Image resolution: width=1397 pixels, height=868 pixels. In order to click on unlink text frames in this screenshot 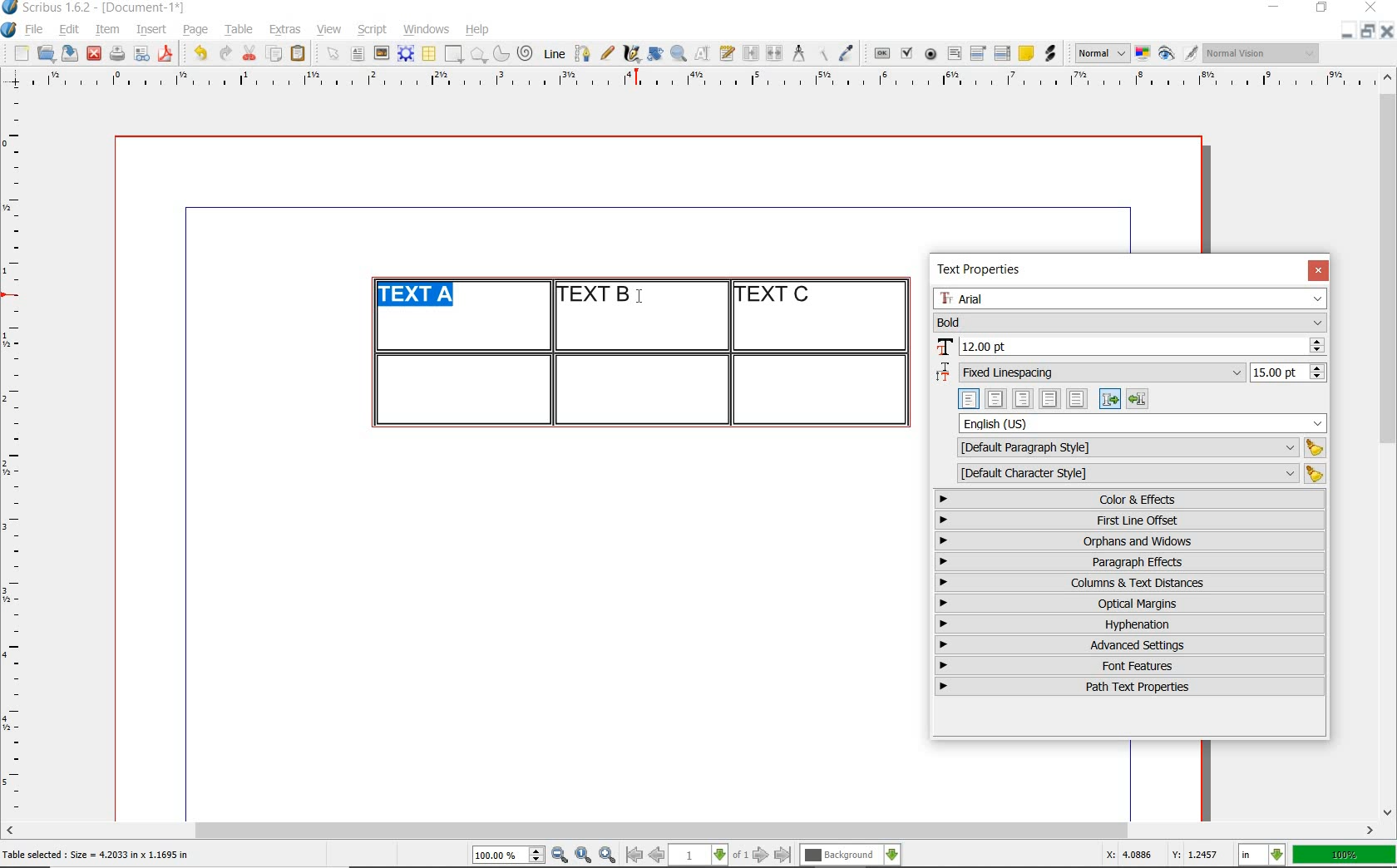, I will do `click(774, 54)`.